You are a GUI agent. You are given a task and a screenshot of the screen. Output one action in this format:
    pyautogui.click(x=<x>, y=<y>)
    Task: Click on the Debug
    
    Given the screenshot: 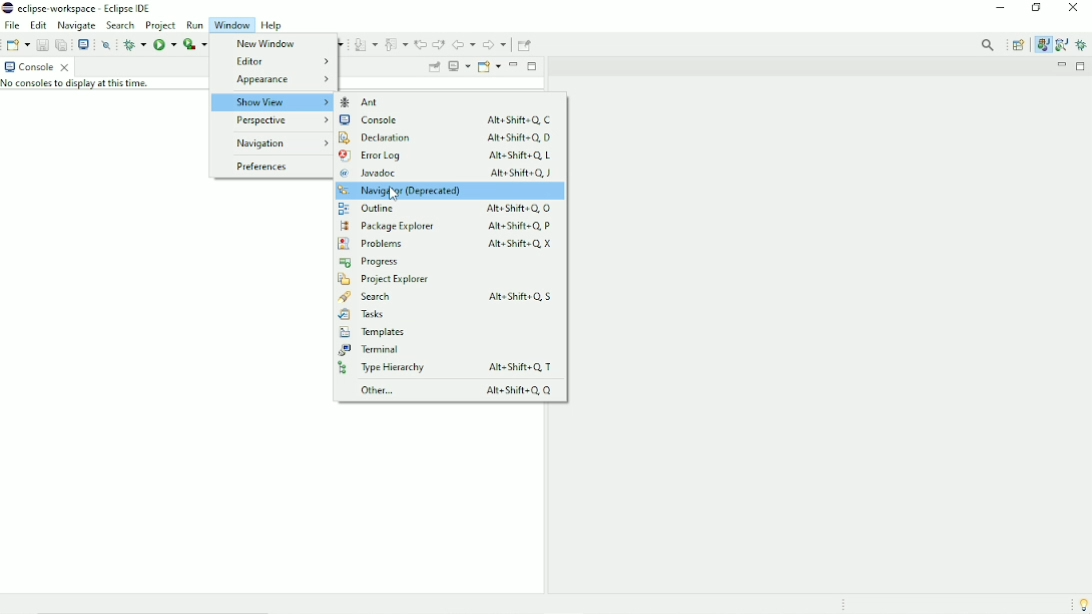 What is the action you would take?
    pyautogui.click(x=134, y=44)
    